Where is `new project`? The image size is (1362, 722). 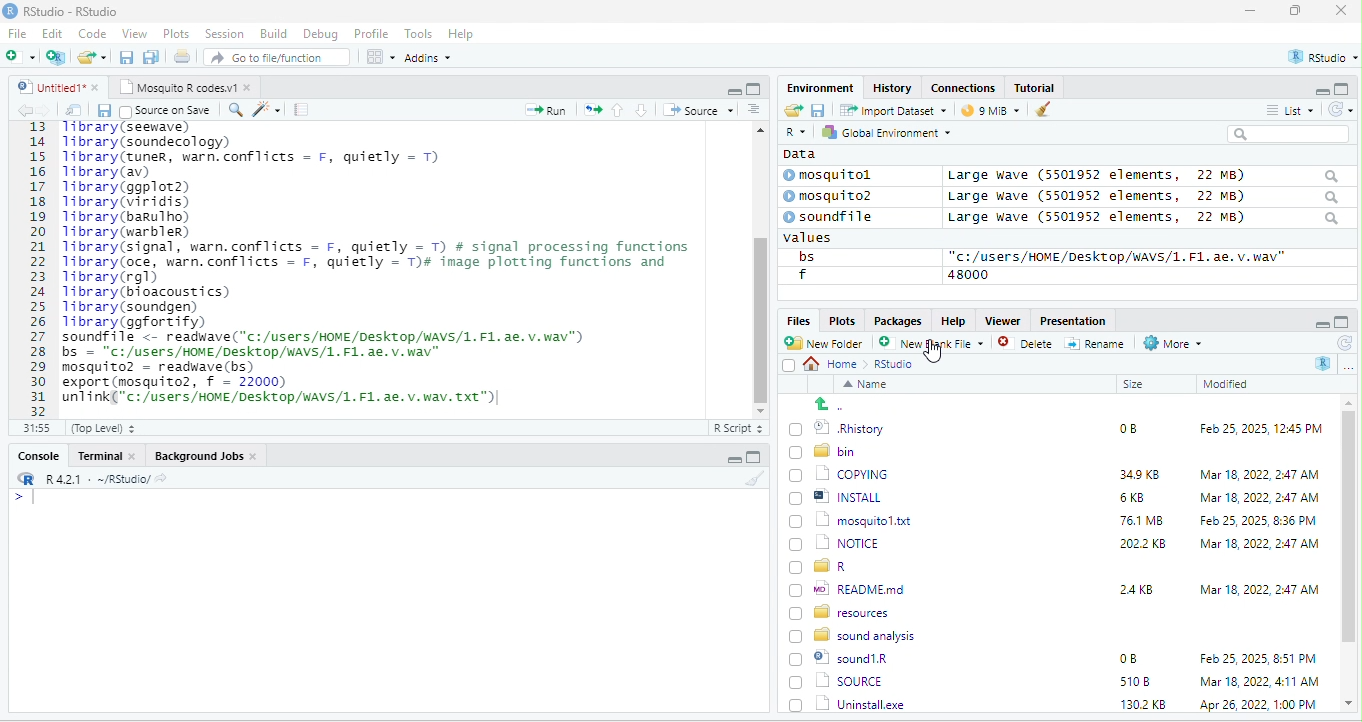
new project is located at coordinates (57, 57).